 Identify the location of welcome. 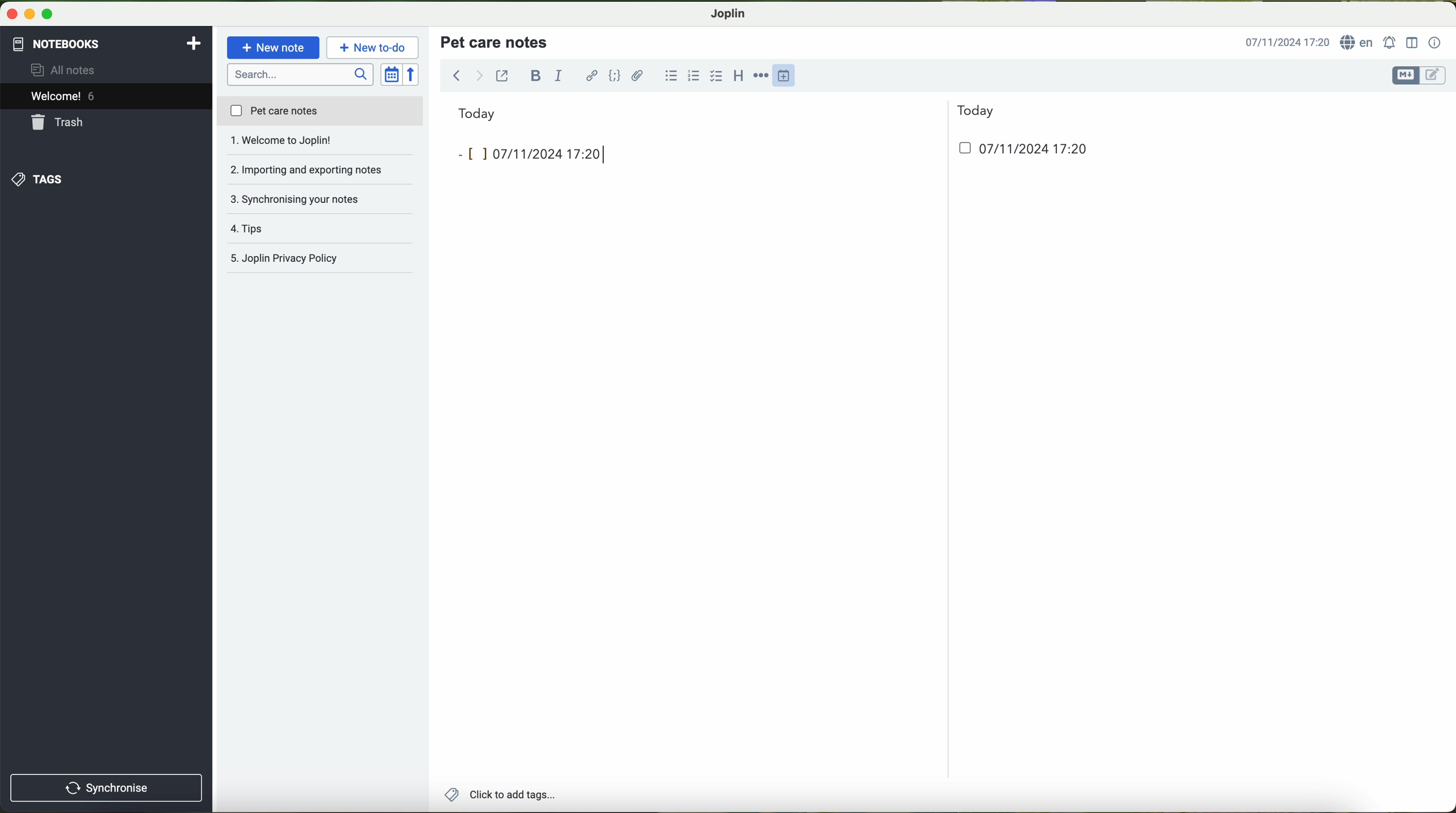
(106, 98).